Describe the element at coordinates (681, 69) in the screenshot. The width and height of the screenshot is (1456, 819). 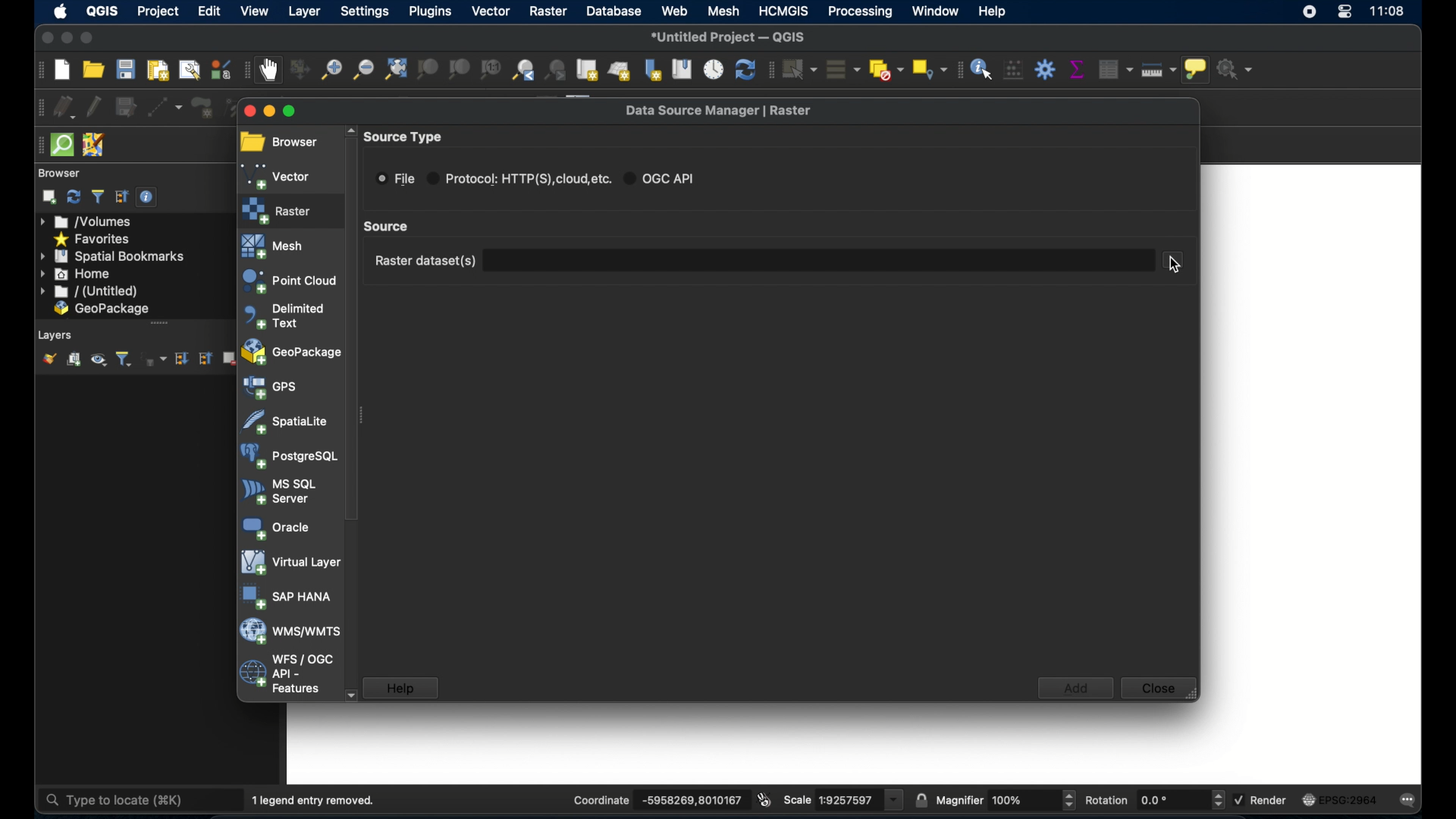
I see `show spatial bookmarks` at that location.